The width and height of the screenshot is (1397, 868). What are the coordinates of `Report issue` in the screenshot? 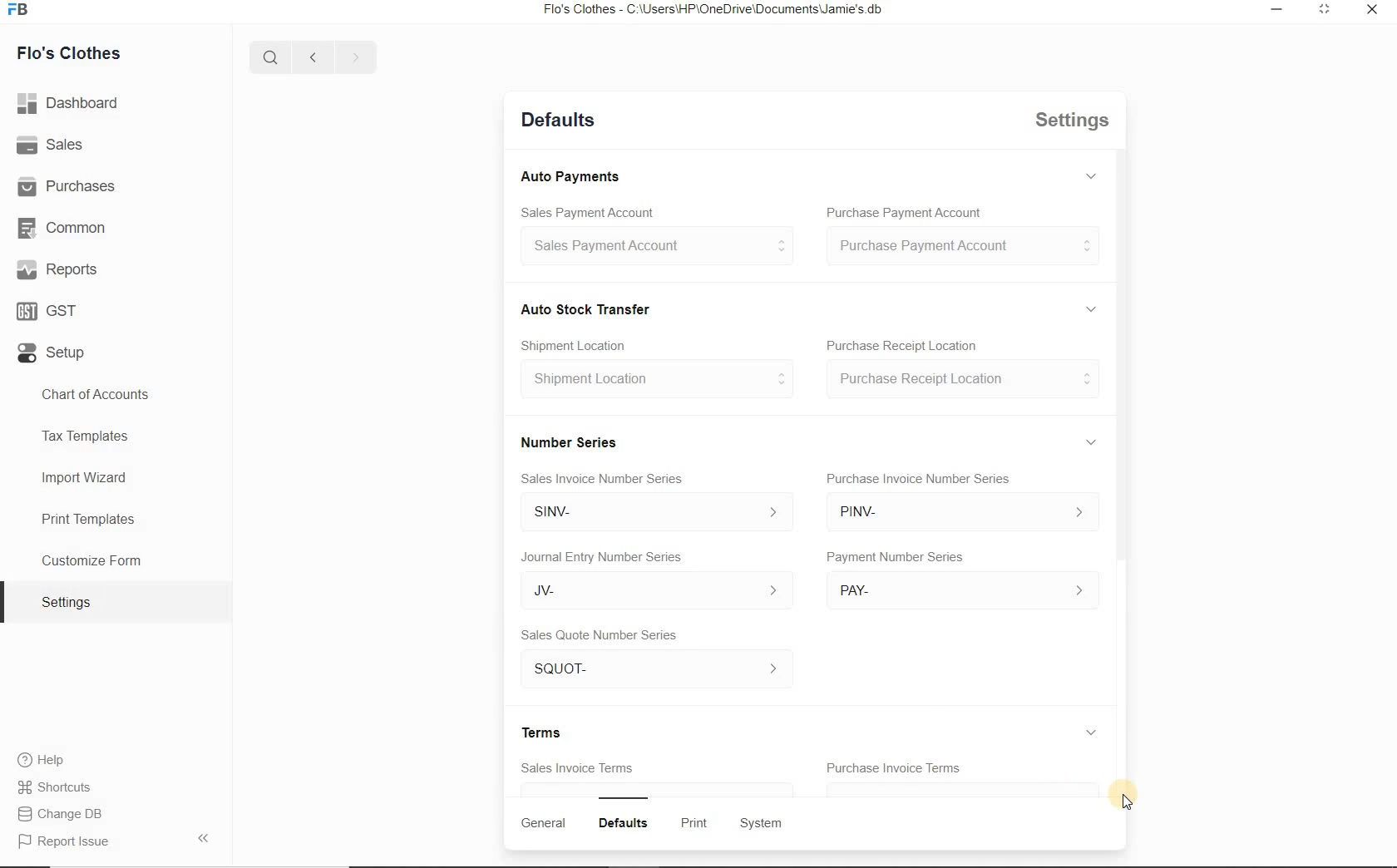 It's located at (65, 842).